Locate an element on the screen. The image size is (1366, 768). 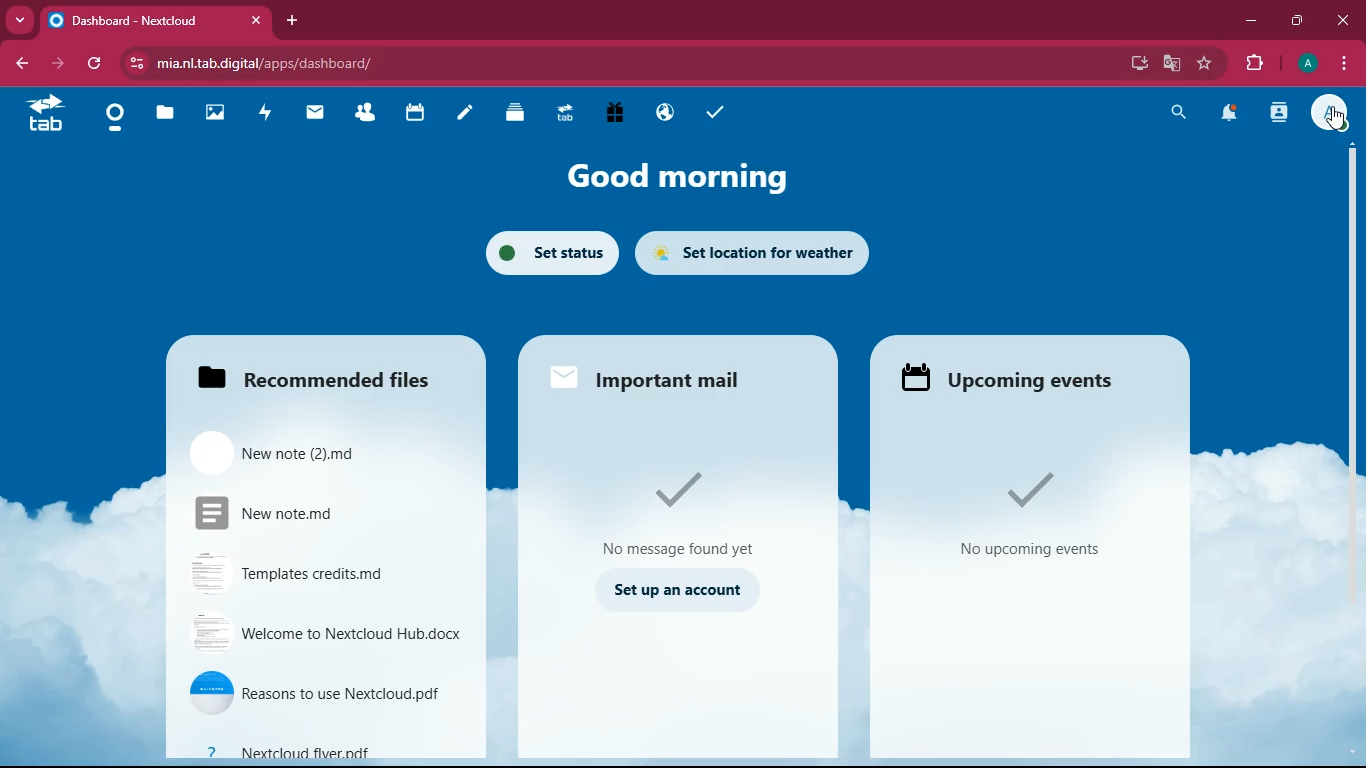
more is located at coordinates (20, 20).